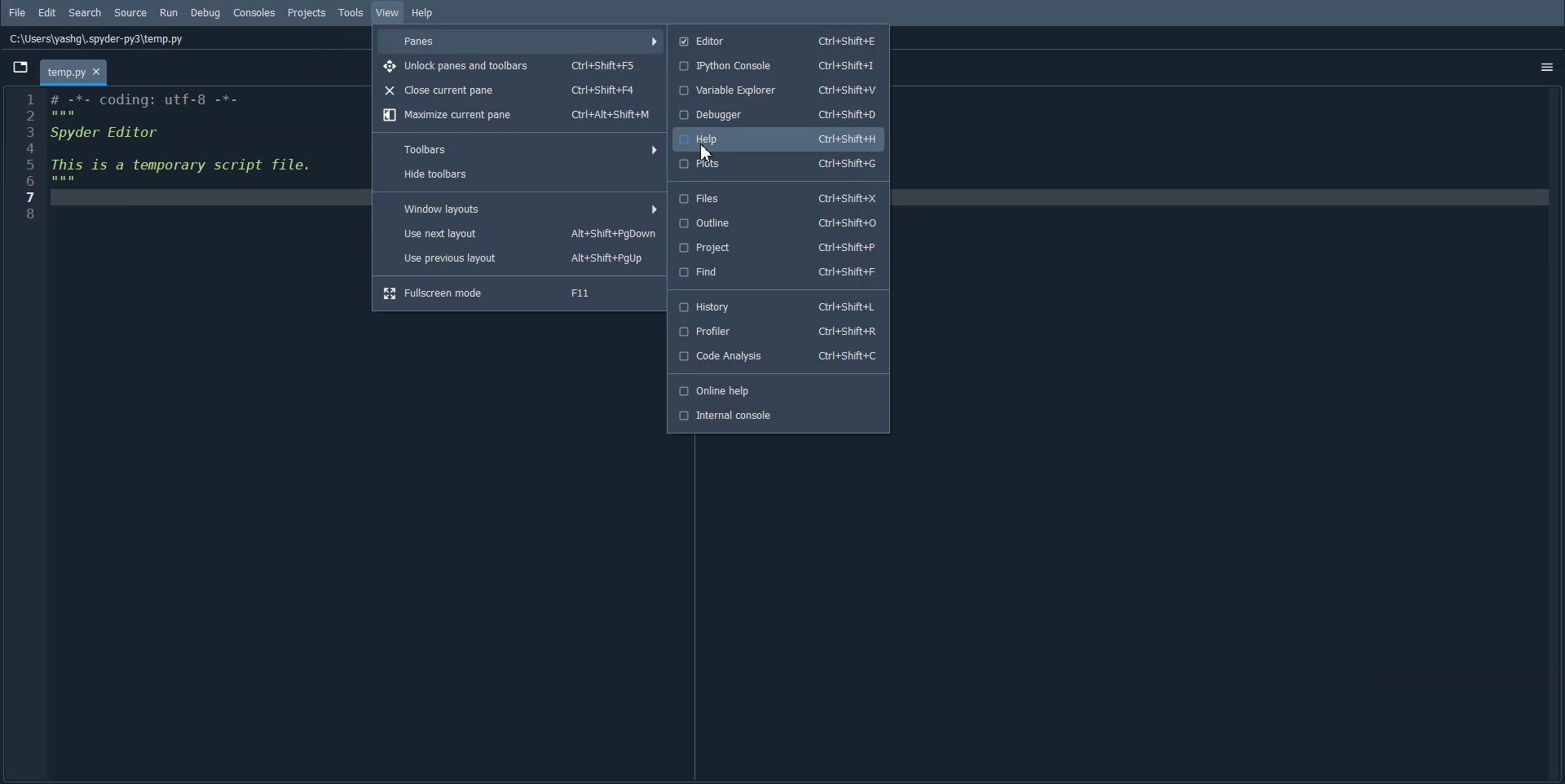 This screenshot has width=1565, height=784. Describe the element at coordinates (780, 357) in the screenshot. I see `Code Analysis` at that location.